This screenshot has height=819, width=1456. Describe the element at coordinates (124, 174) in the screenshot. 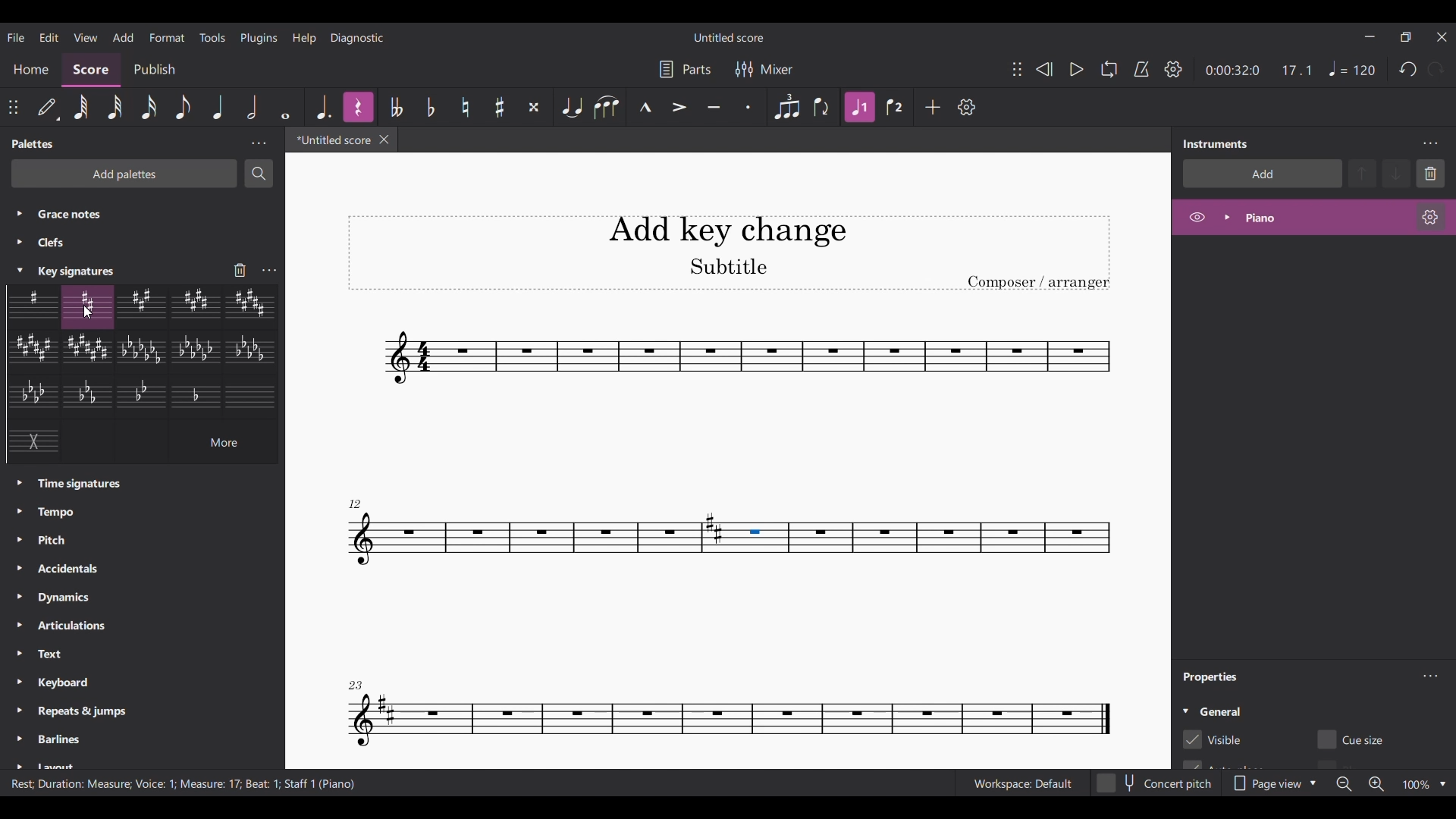

I see `Add palettes` at that location.